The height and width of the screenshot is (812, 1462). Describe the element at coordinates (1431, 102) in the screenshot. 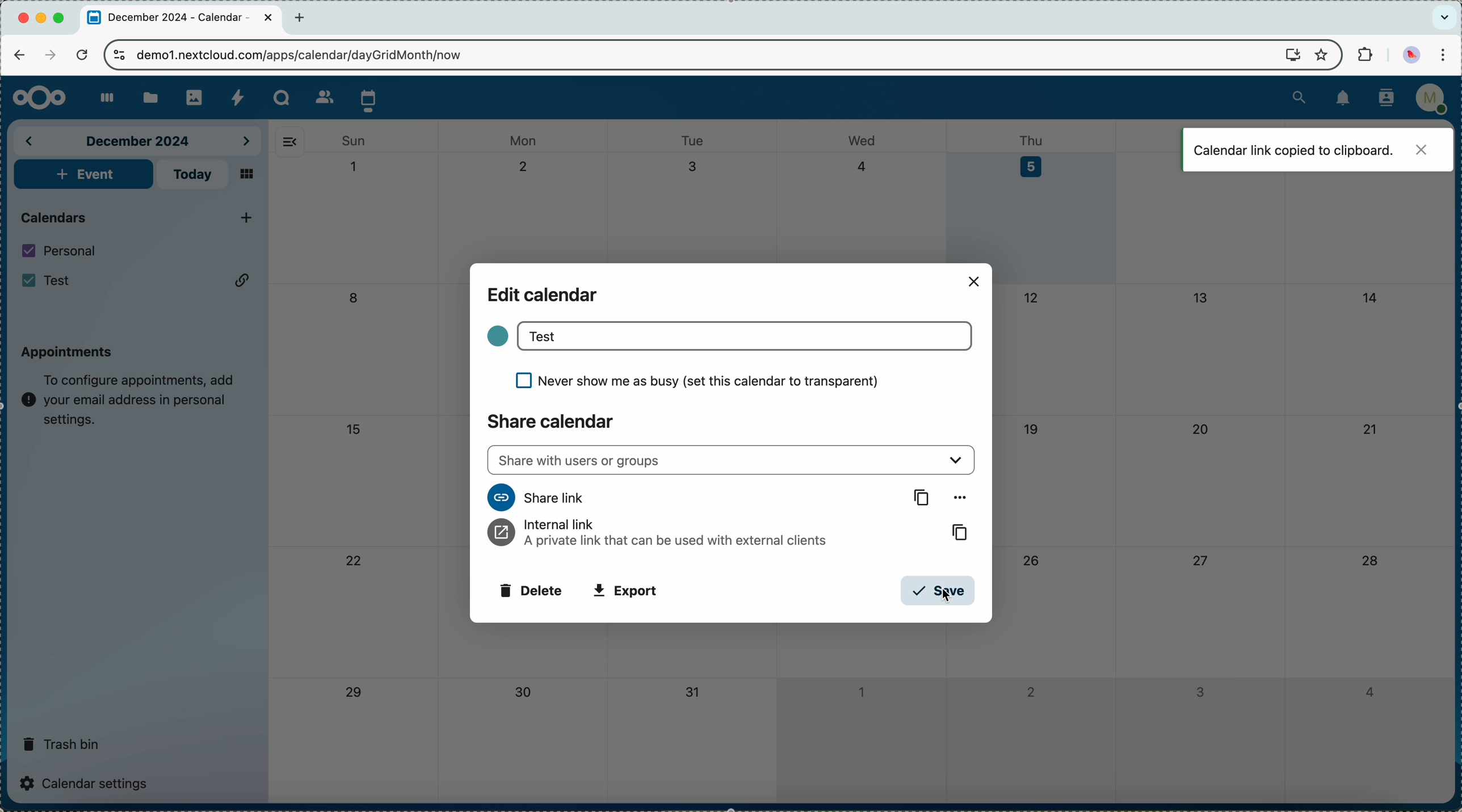

I see `user profile` at that location.